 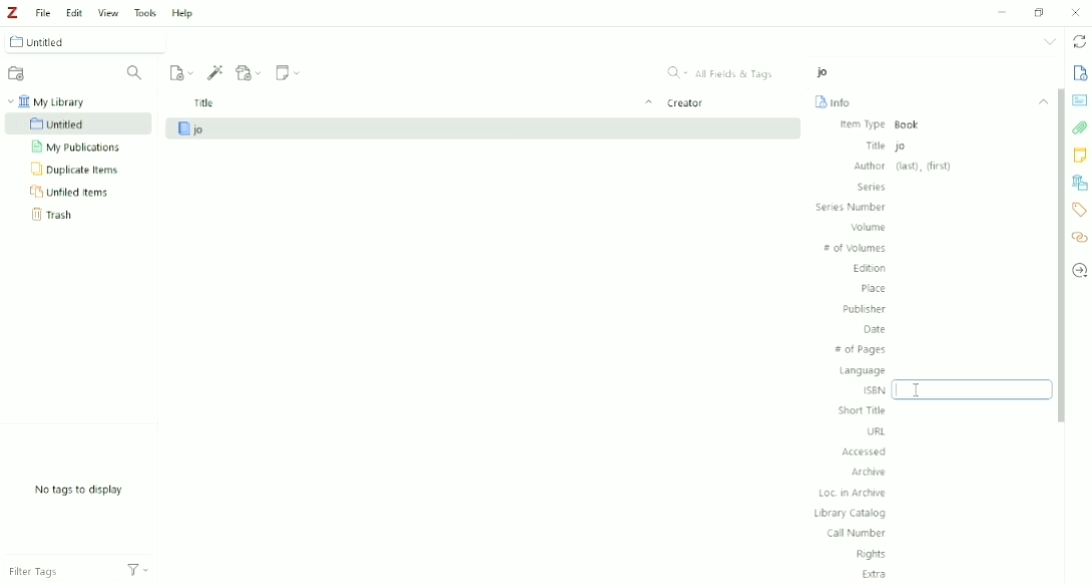 I want to click on Accessed, so click(x=864, y=452).